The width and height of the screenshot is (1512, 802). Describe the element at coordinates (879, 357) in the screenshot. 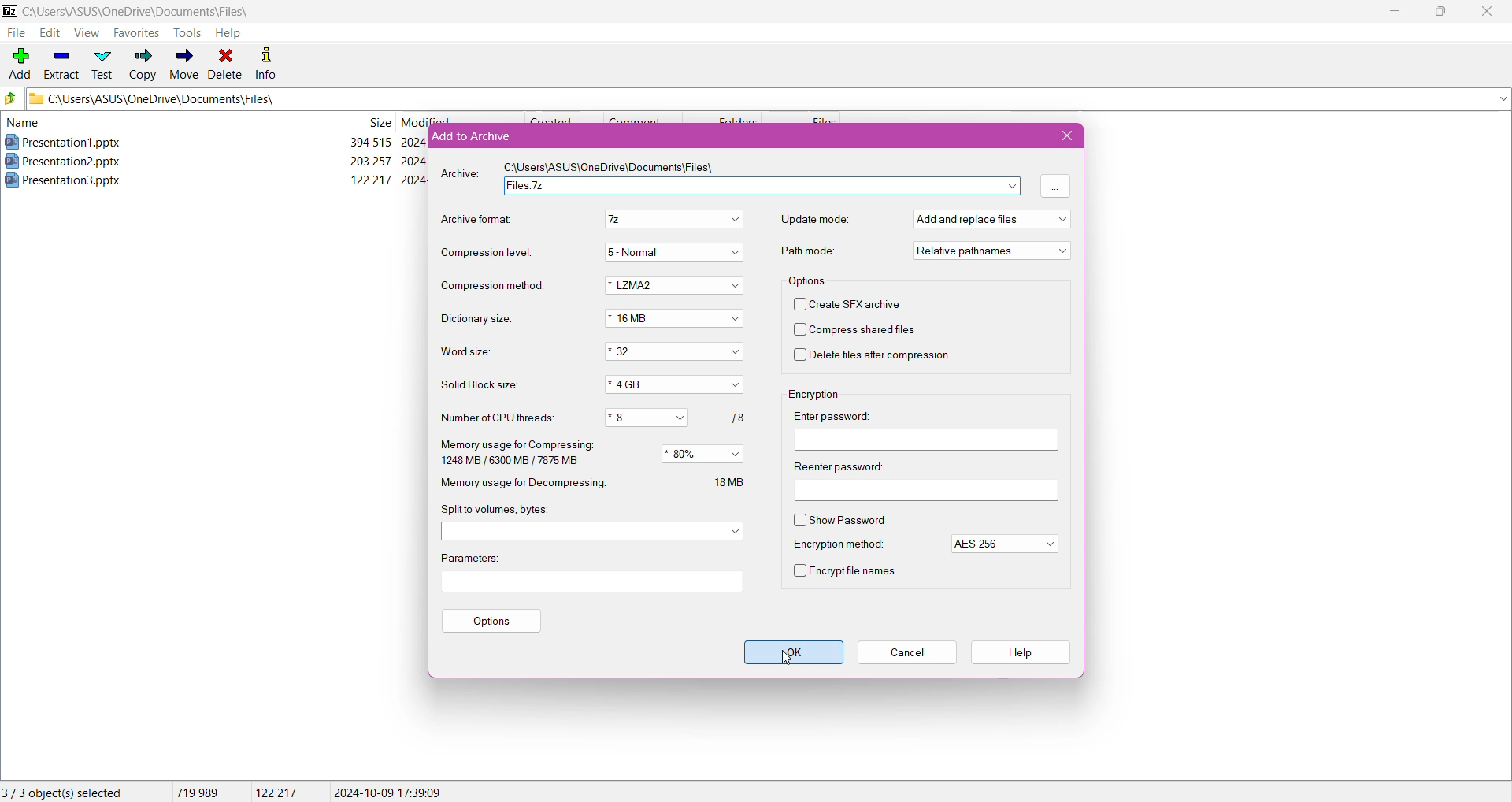

I see `Delete files after compression` at that location.